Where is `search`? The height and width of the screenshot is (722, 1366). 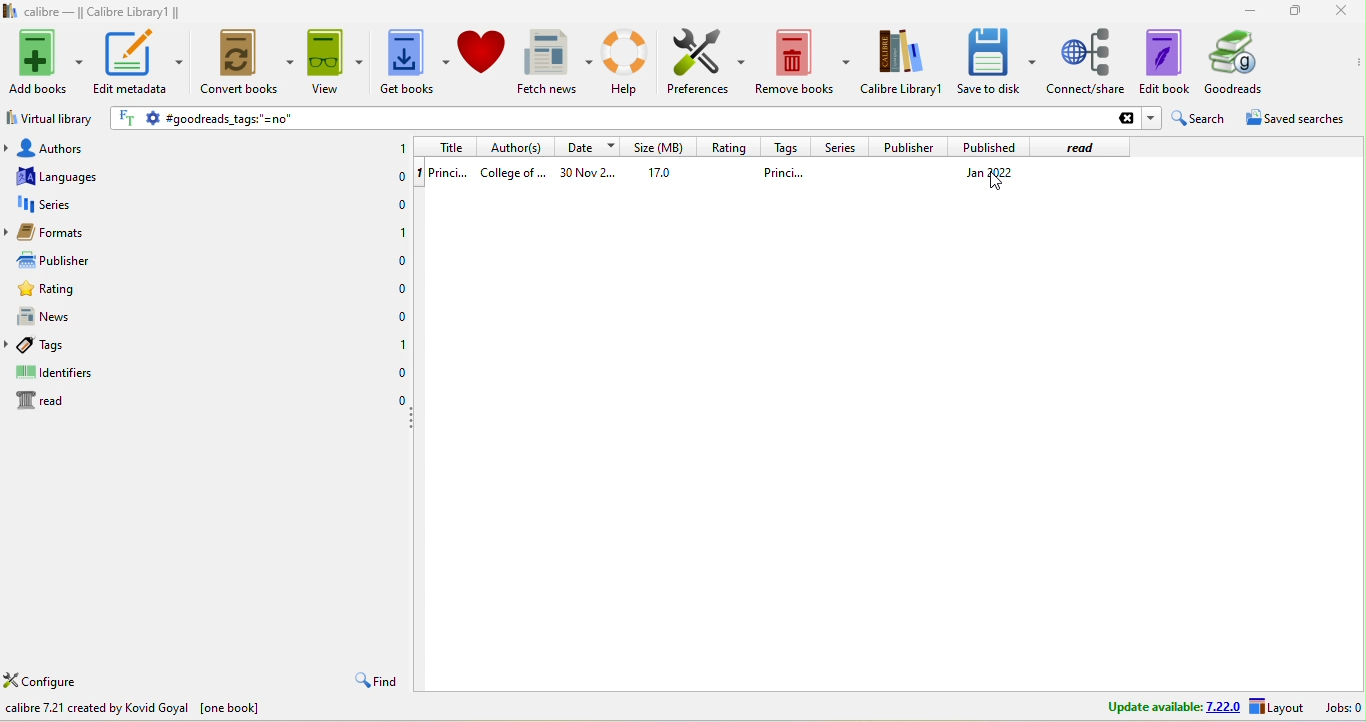
search is located at coordinates (1197, 118).